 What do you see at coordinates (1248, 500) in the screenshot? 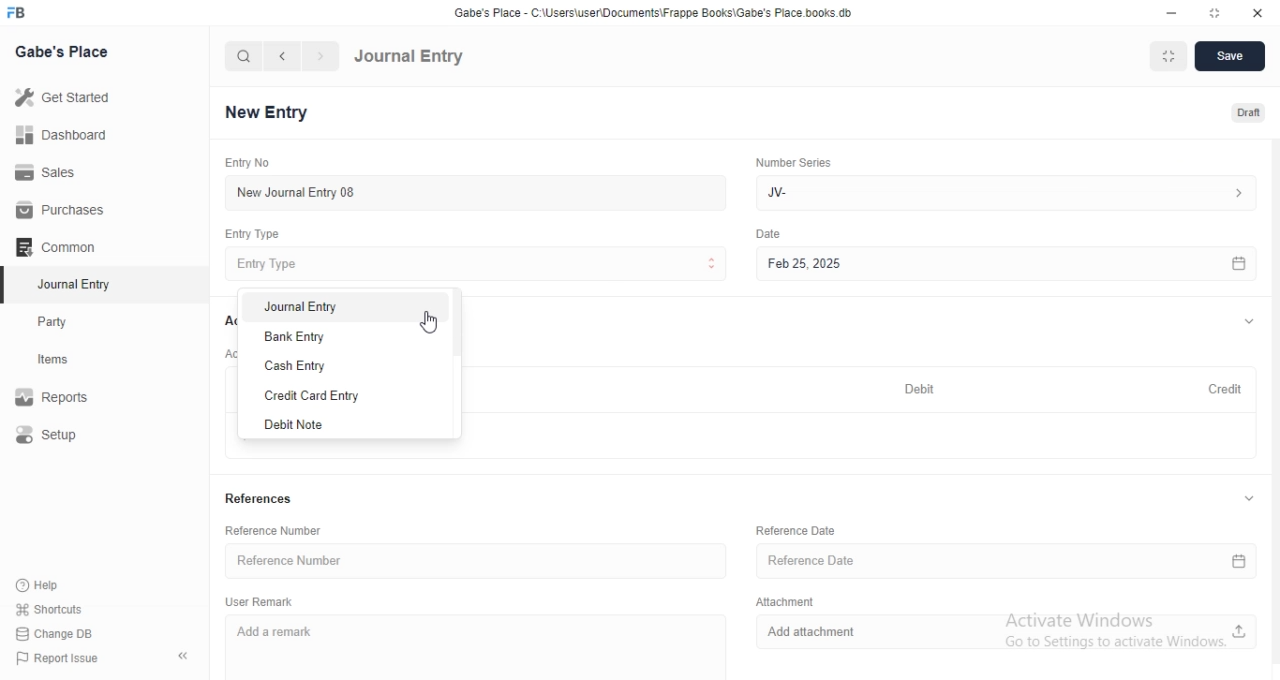
I see `expand/collapse` at bounding box center [1248, 500].